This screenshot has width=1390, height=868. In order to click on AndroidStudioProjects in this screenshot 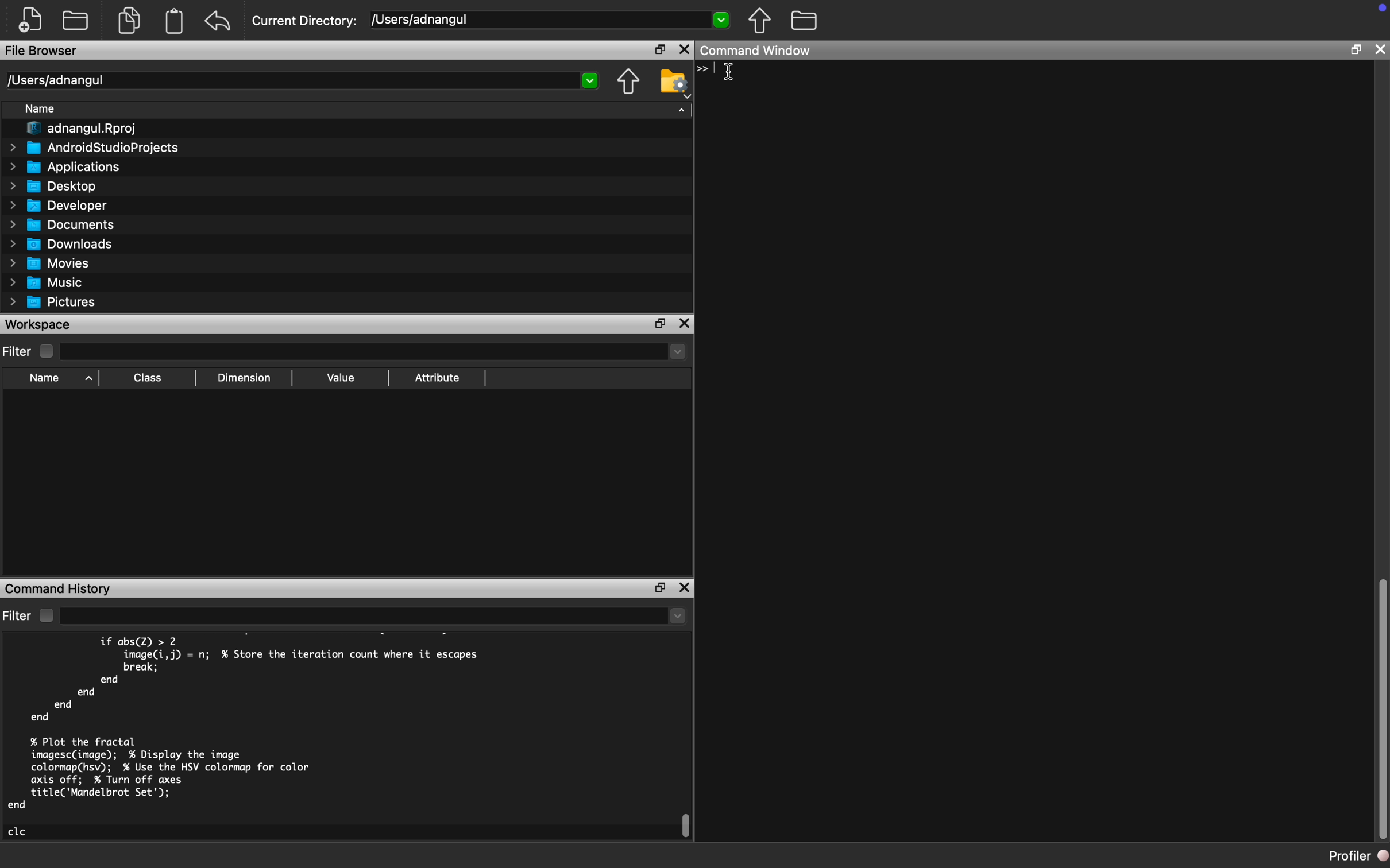, I will do `click(94, 148)`.